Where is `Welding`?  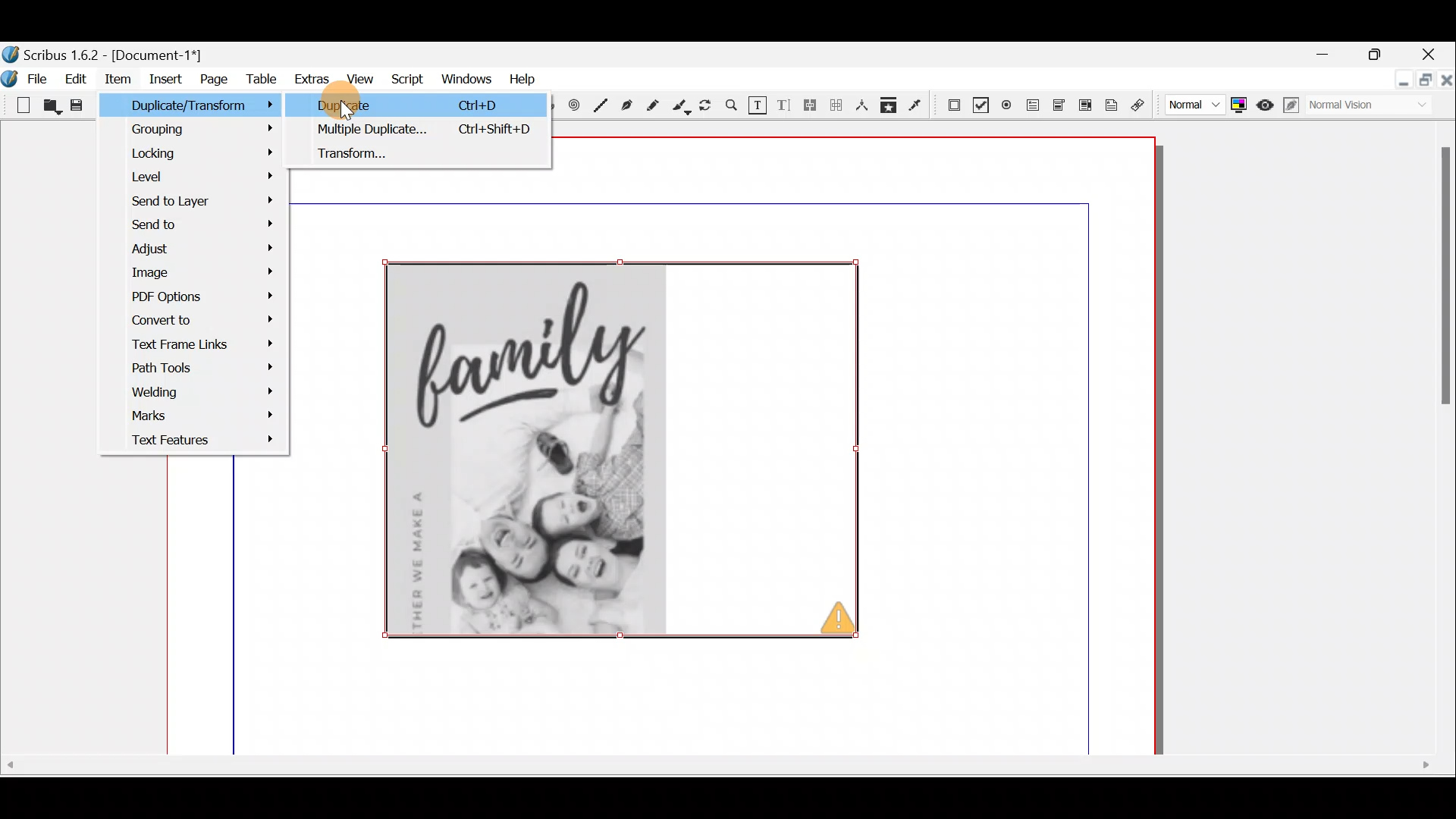 Welding is located at coordinates (202, 393).